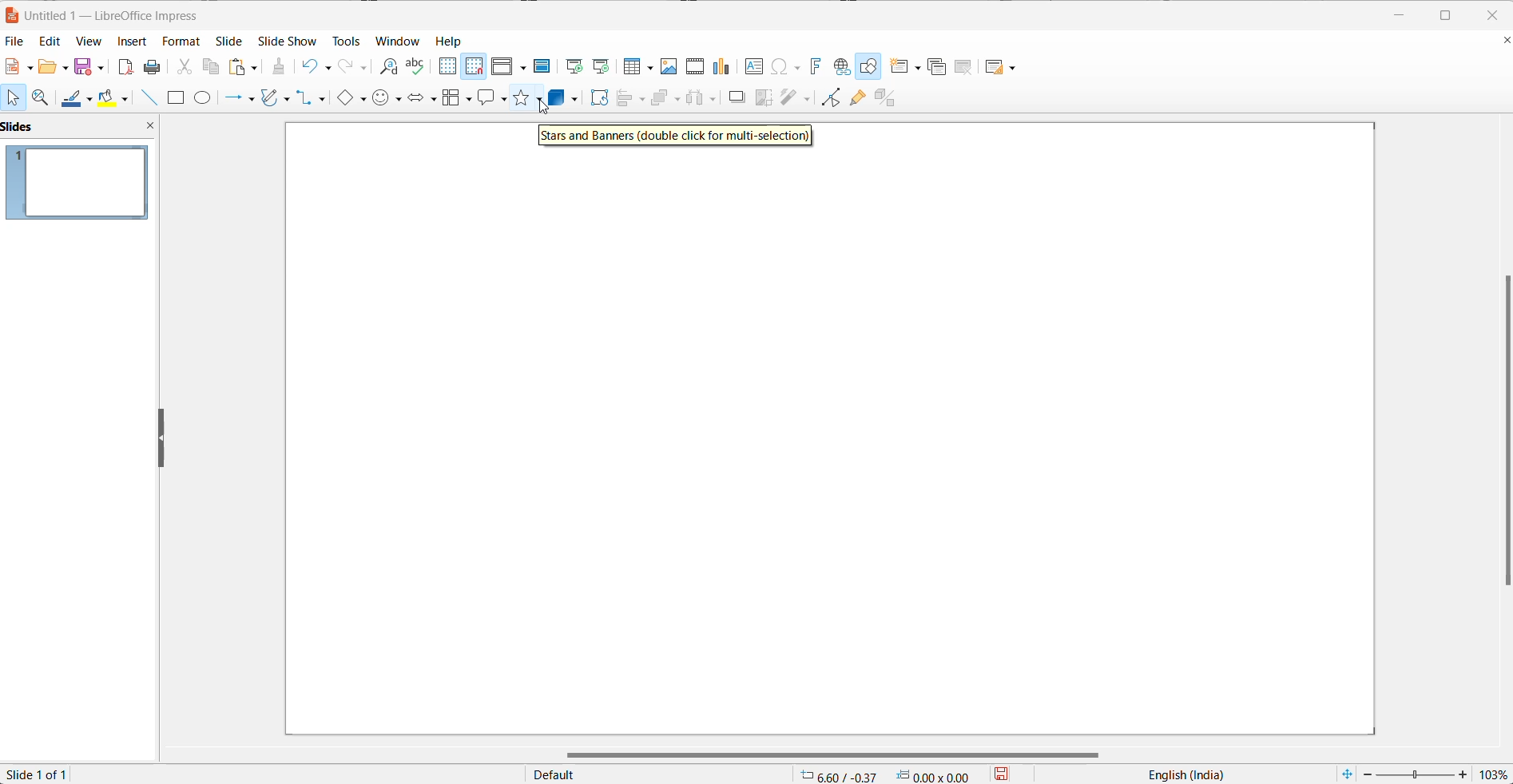  Describe the element at coordinates (447, 66) in the screenshot. I see `display grid` at that location.